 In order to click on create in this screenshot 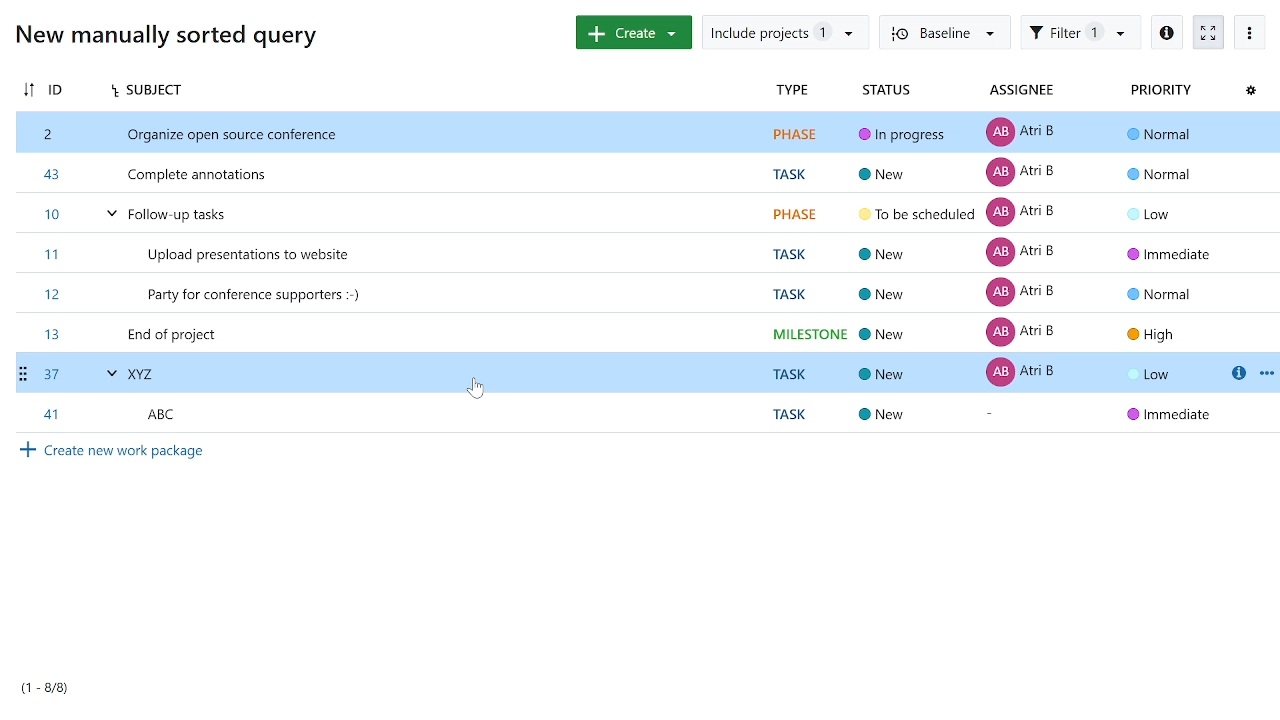, I will do `click(629, 32)`.